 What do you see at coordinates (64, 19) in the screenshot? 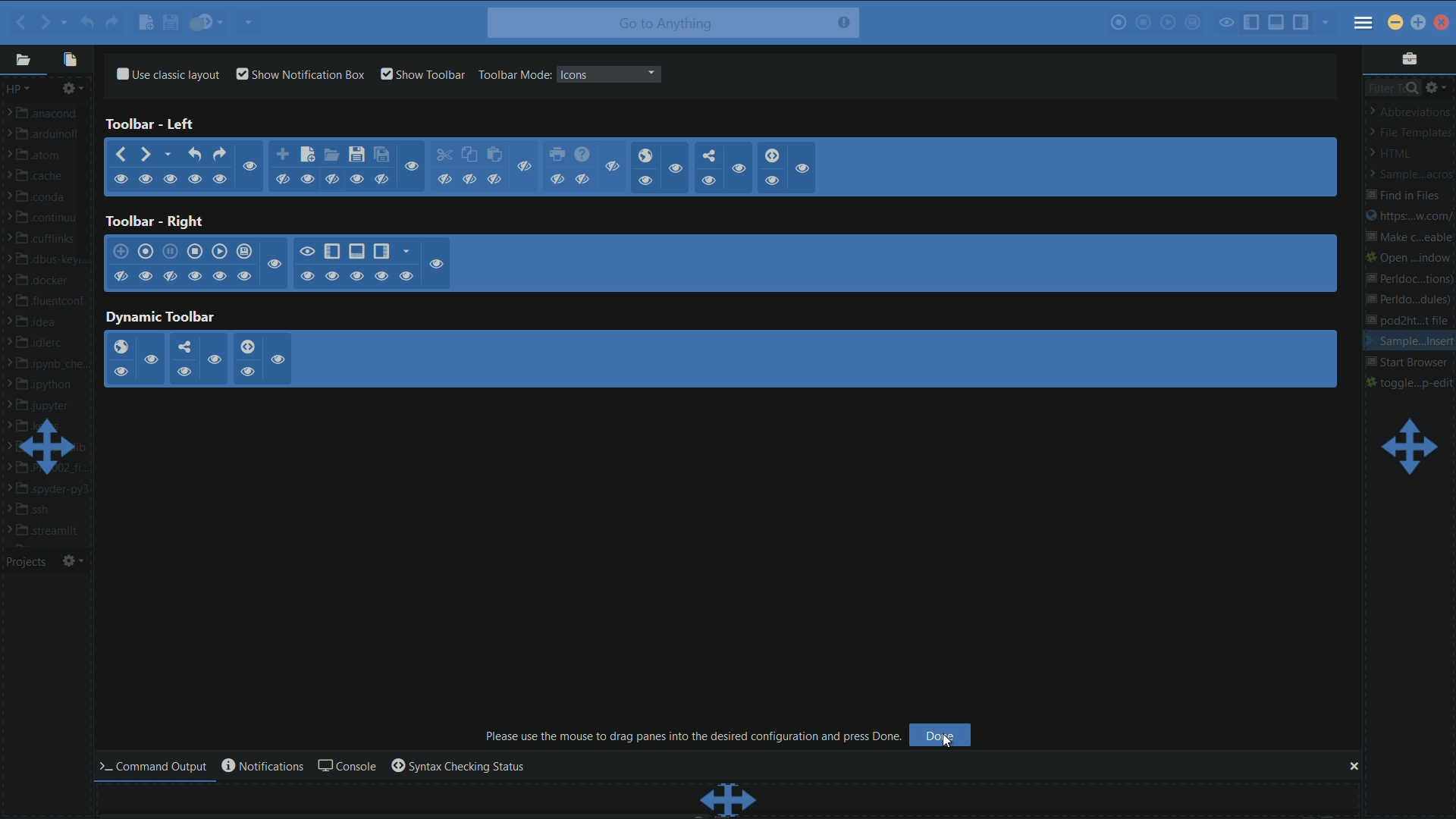
I see `recent location` at bounding box center [64, 19].